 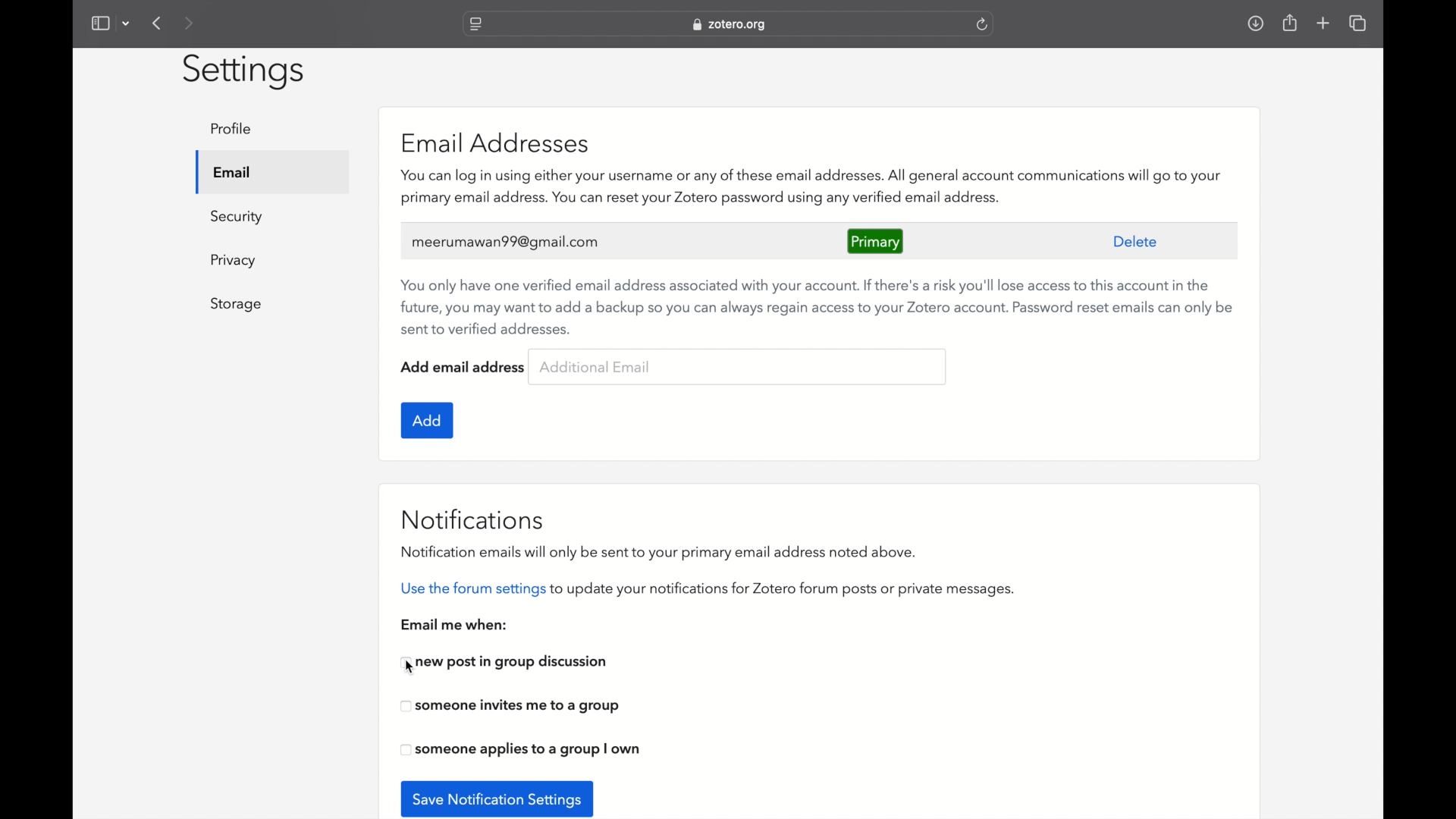 What do you see at coordinates (475, 24) in the screenshot?
I see `website settings` at bounding box center [475, 24].